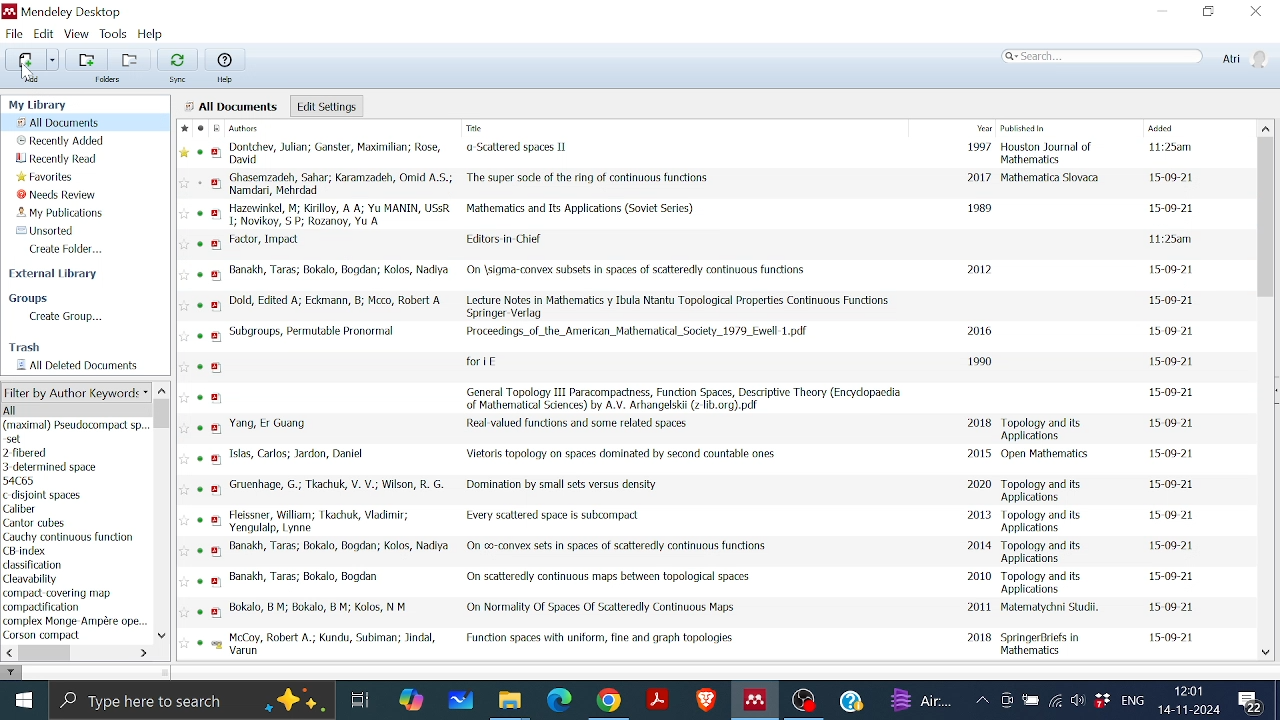 The image size is (1280, 720). What do you see at coordinates (980, 514) in the screenshot?
I see `2013` at bounding box center [980, 514].